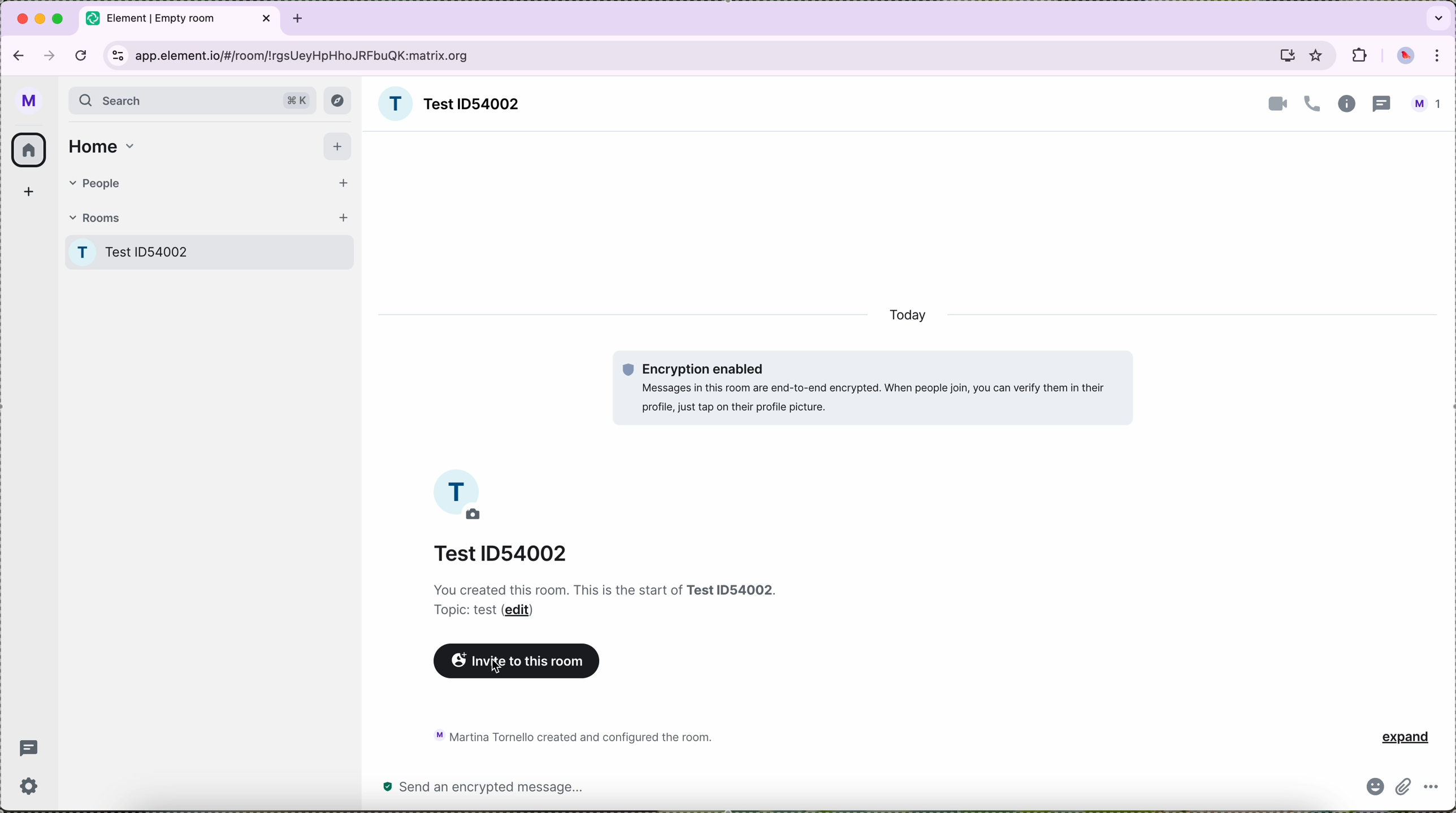  I want to click on more options, so click(1432, 788).